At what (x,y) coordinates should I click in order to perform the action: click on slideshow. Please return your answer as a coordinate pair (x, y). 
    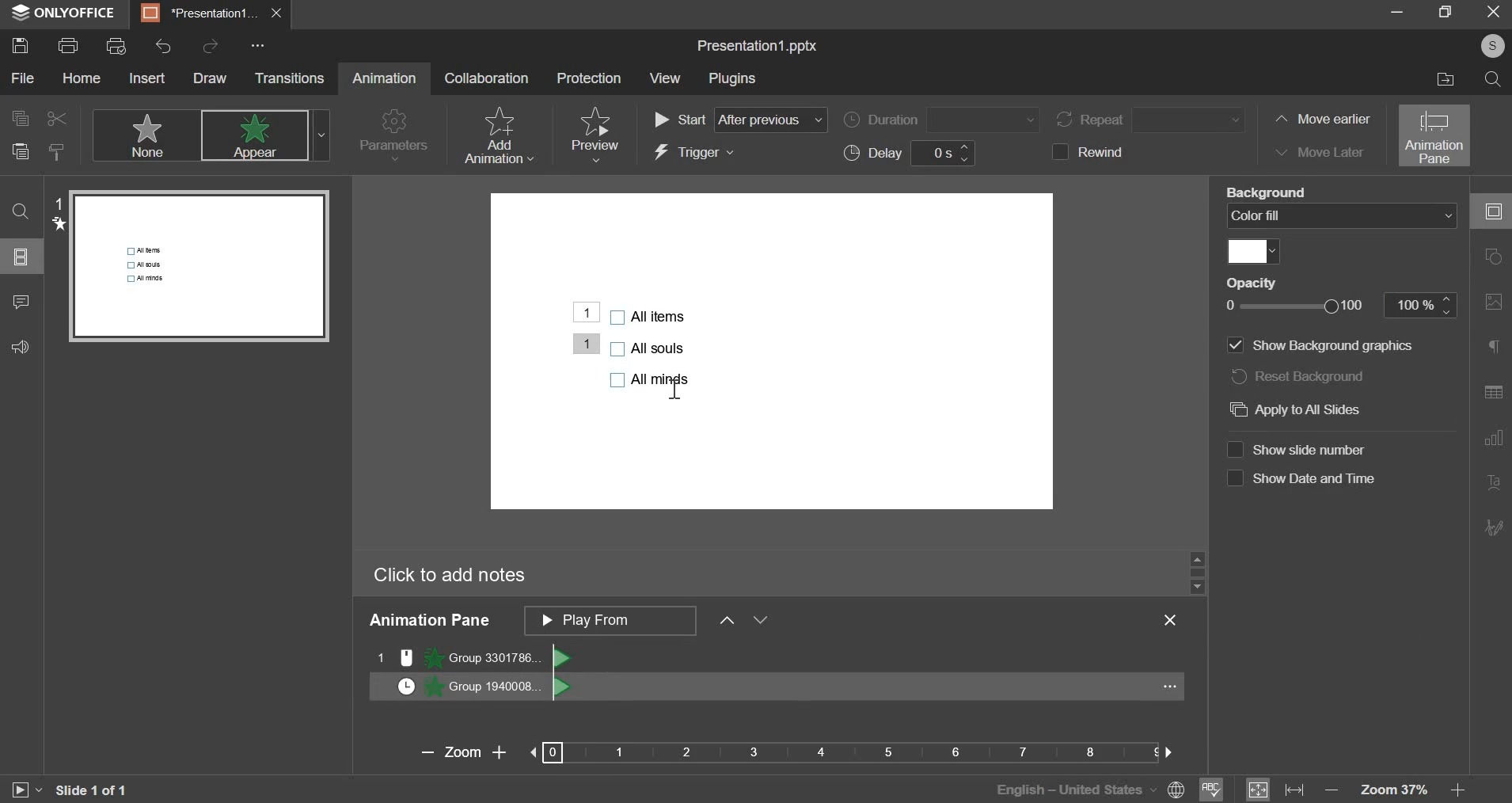
    Looking at the image, I should click on (25, 788).